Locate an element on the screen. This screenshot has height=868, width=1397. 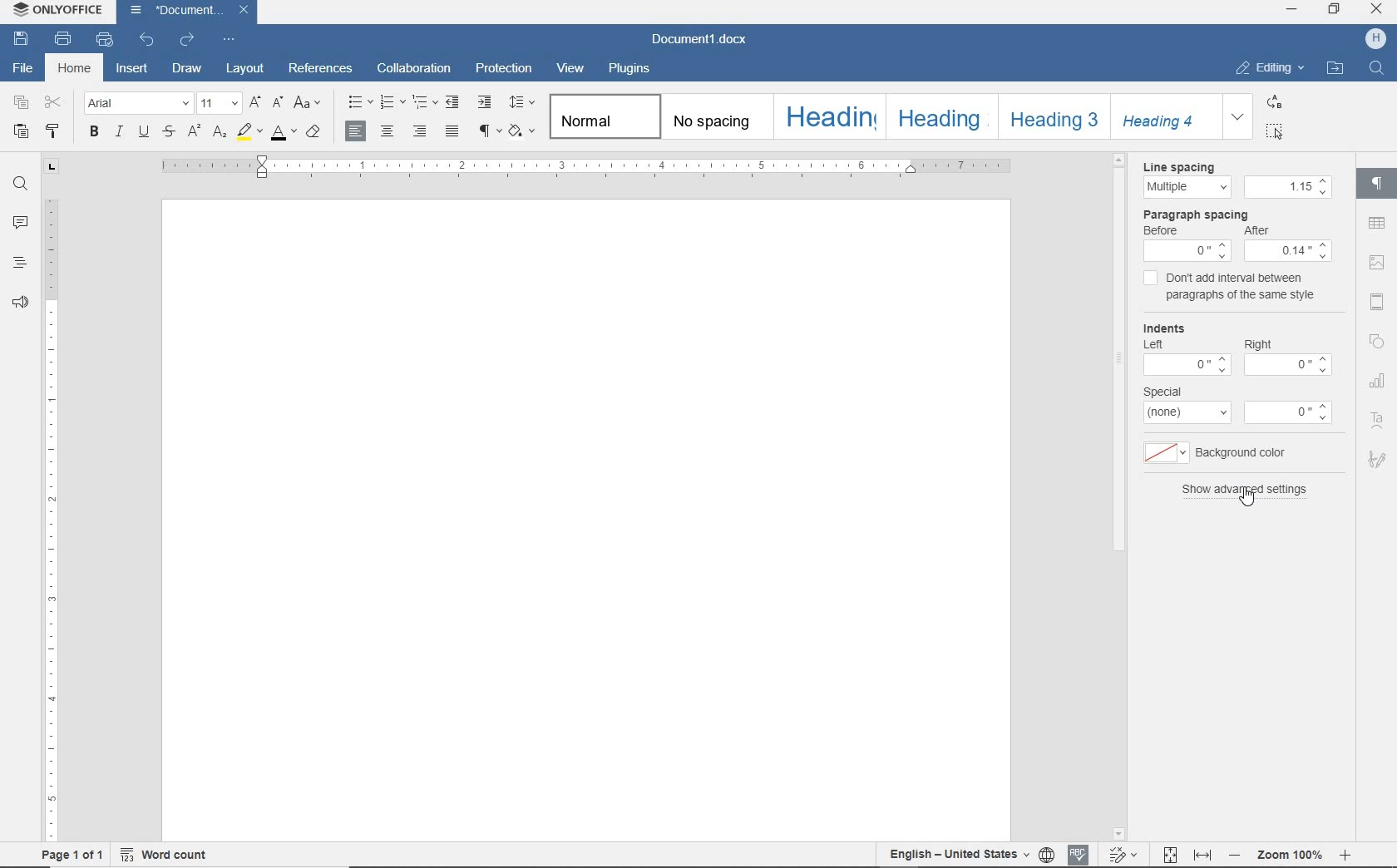
expand is located at coordinates (1237, 116).